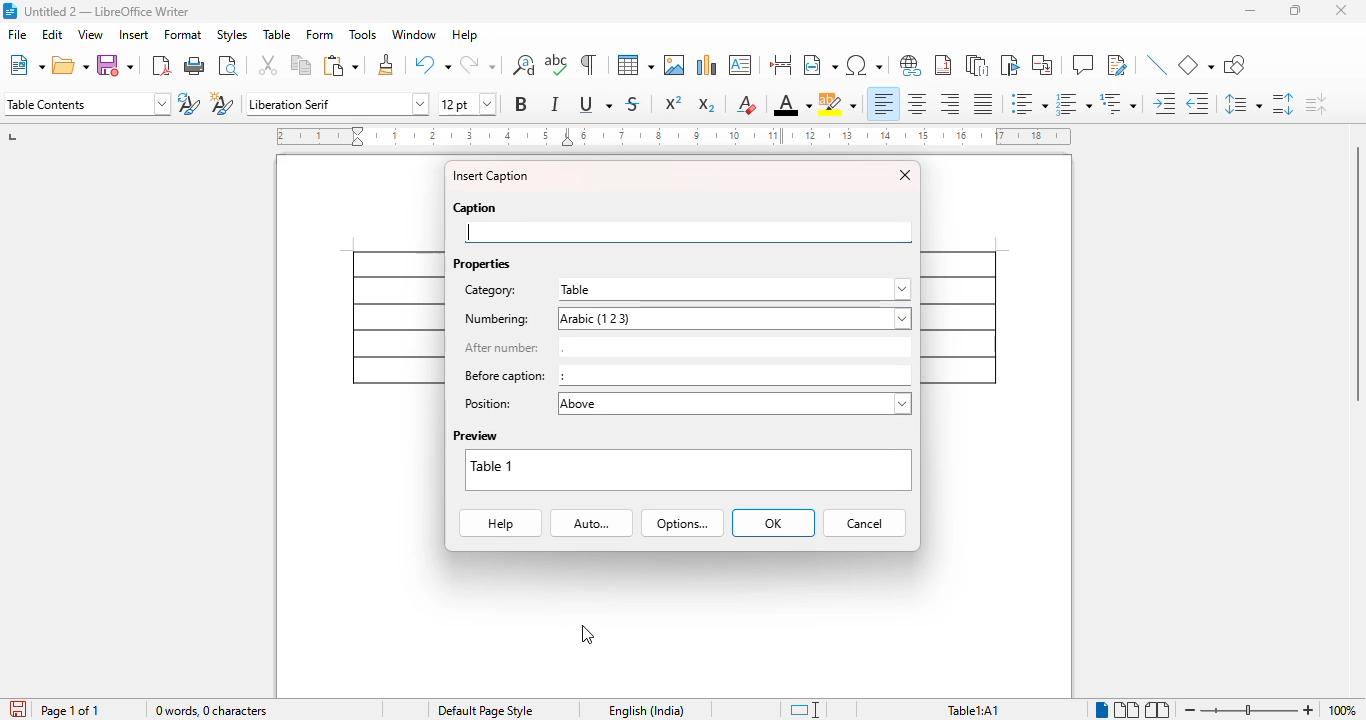 The height and width of the screenshot is (720, 1366). What do you see at coordinates (212, 710) in the screenshot?
I see `word and character count` at bounding box center [212, 710].